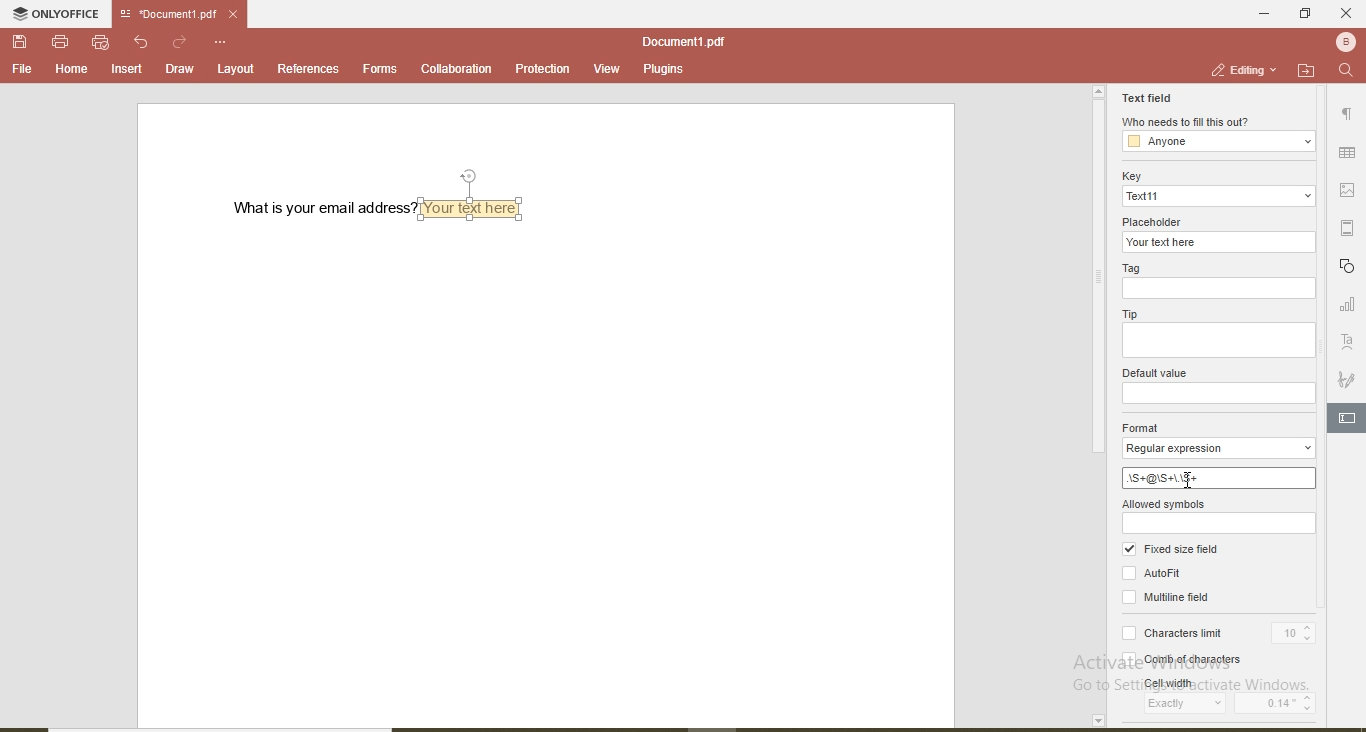 This screenshot has width=1366, height=732. What do you see at coordinates (1287, 702) in the screenshot?
I see `0.14` at bounding box center [1287, 702].